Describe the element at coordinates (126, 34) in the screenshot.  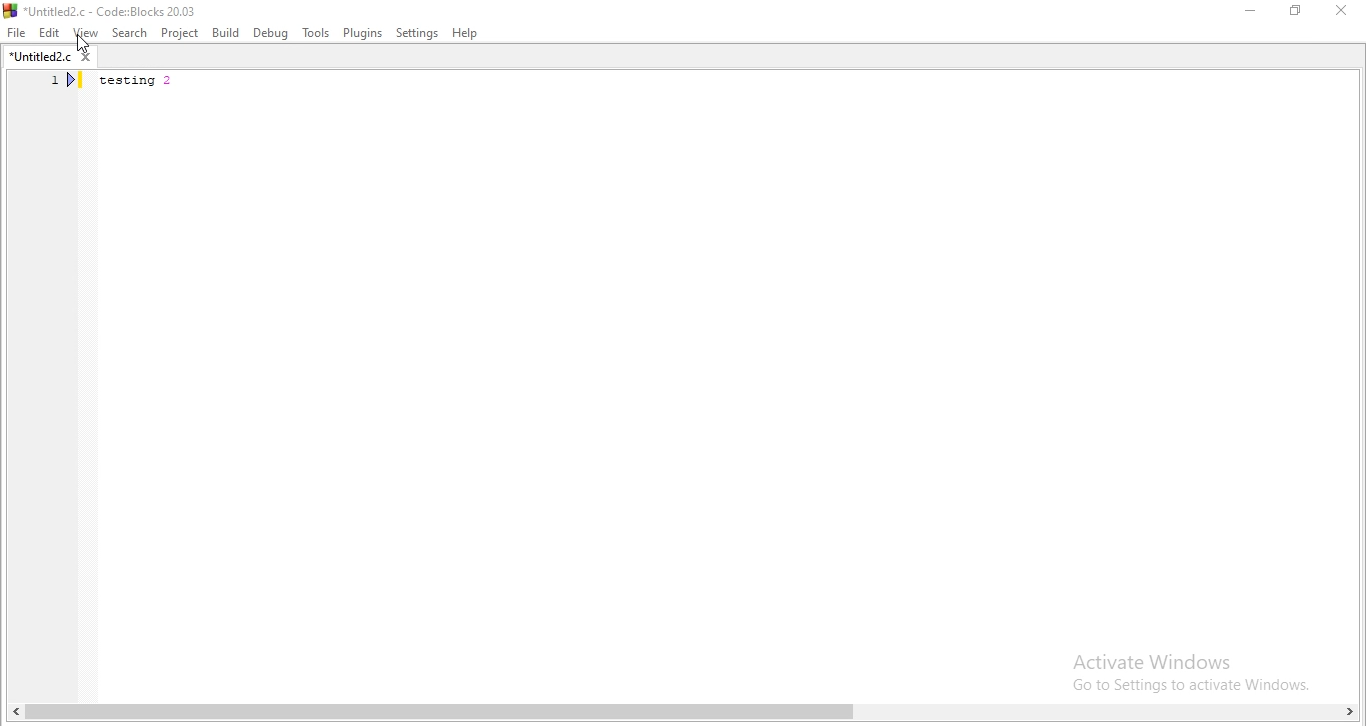
I see `Search ` at that location.